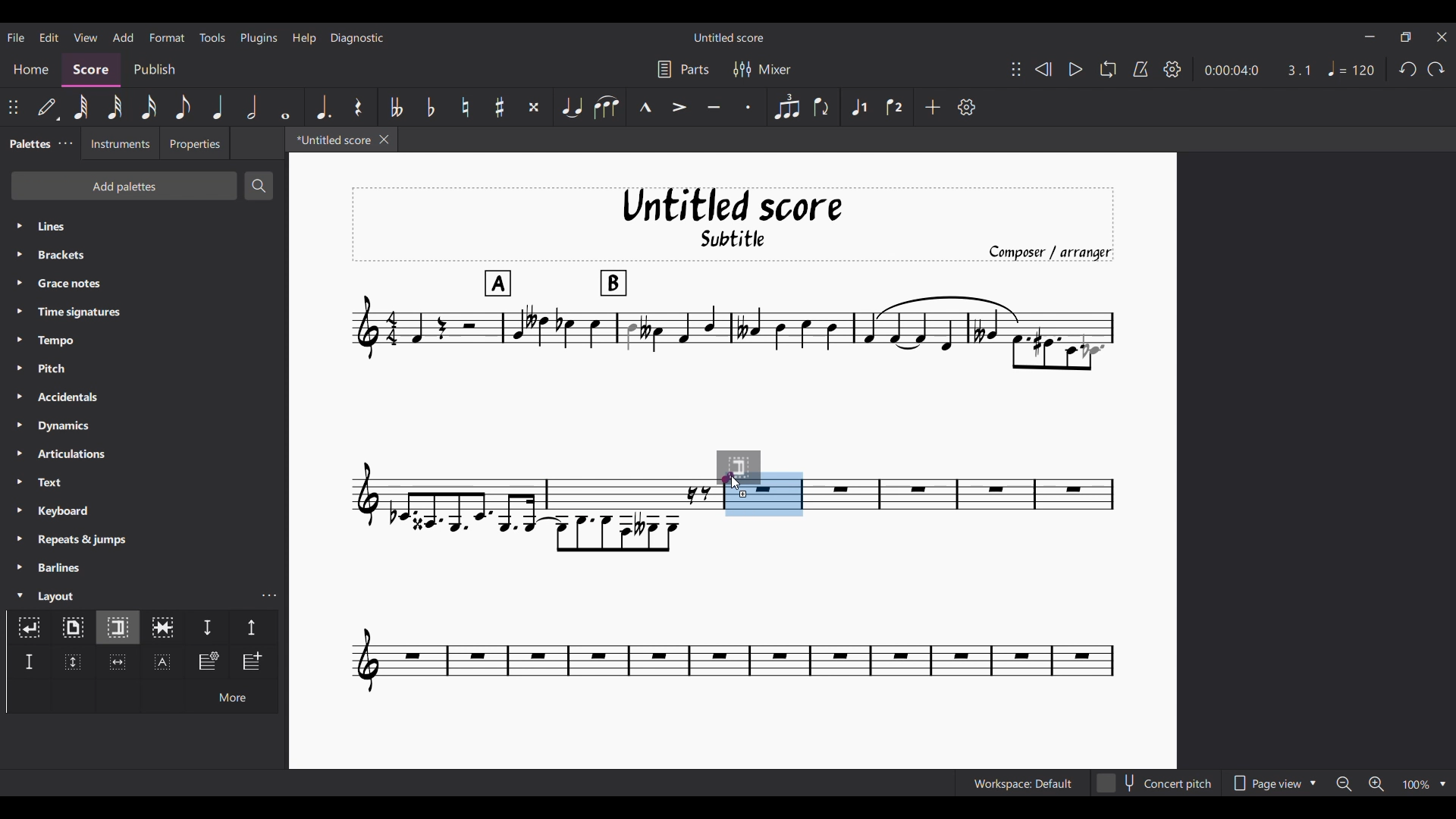  What do you see at coordinates (144, 368) in the screenshot?
I see `Pitch` at bounding box center [144, 368].